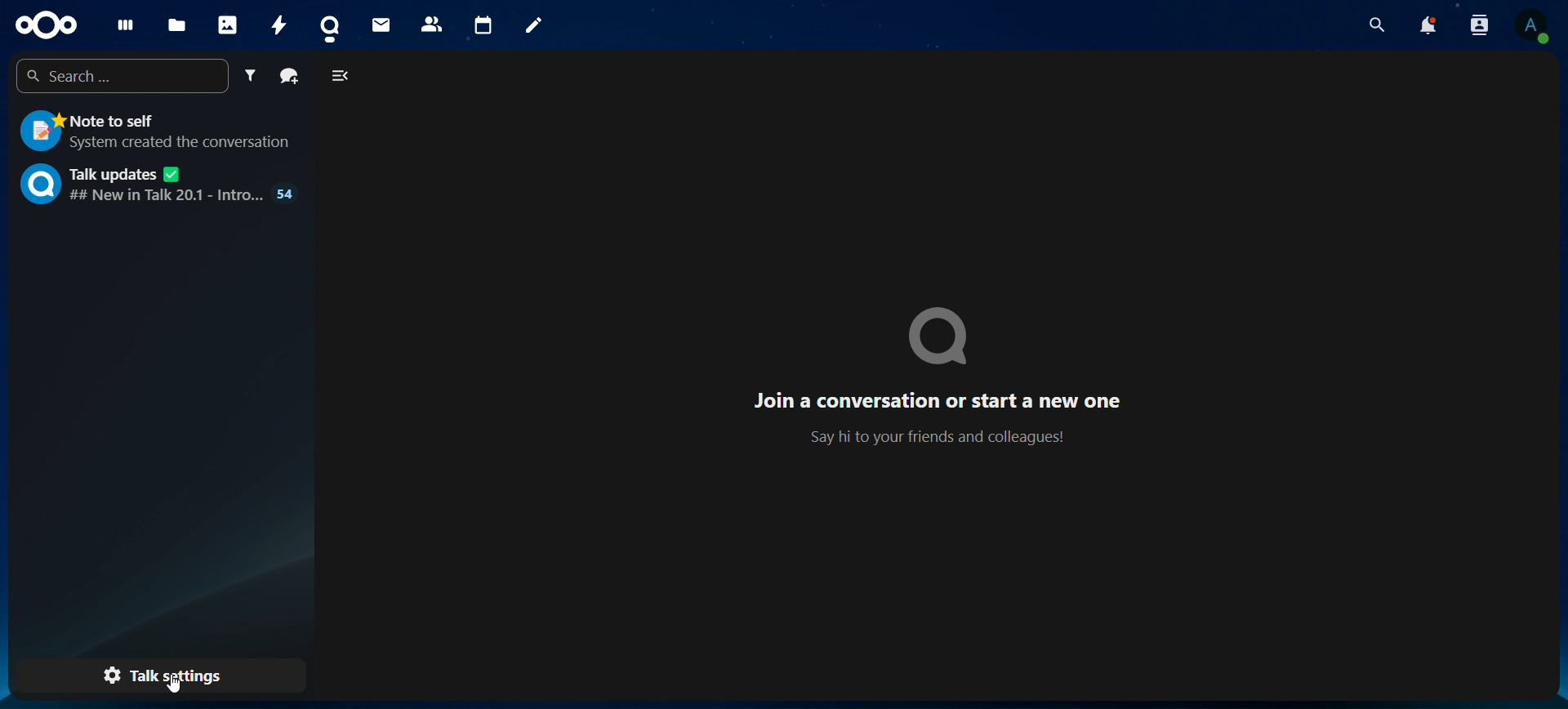  I want to click on search .., so click(118, 76).